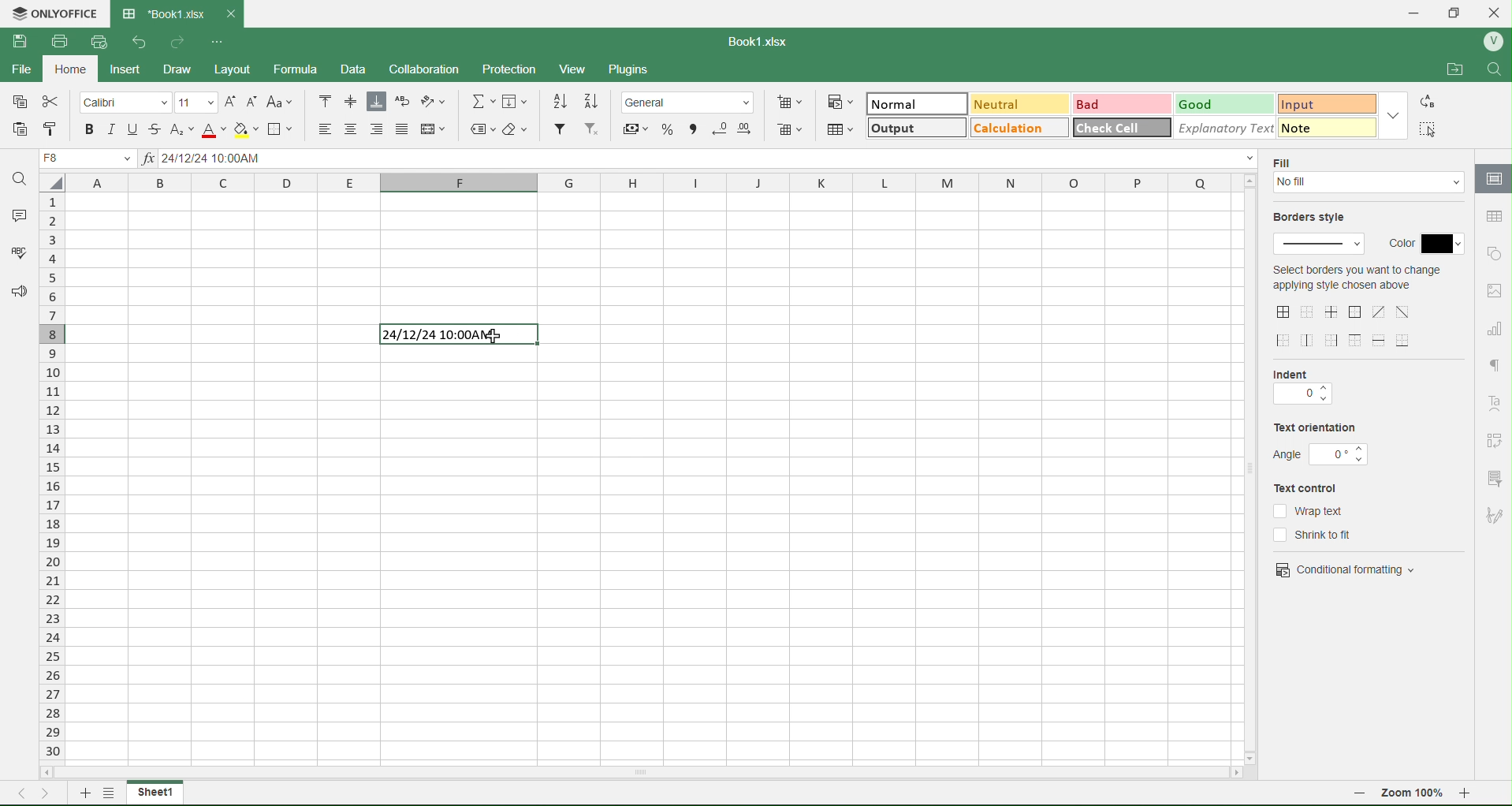 This screenshot has width=1512, height=806. Describe the element at coordinates (719, 128) in the screenshot. I see `Decrease Decimal` at that location.